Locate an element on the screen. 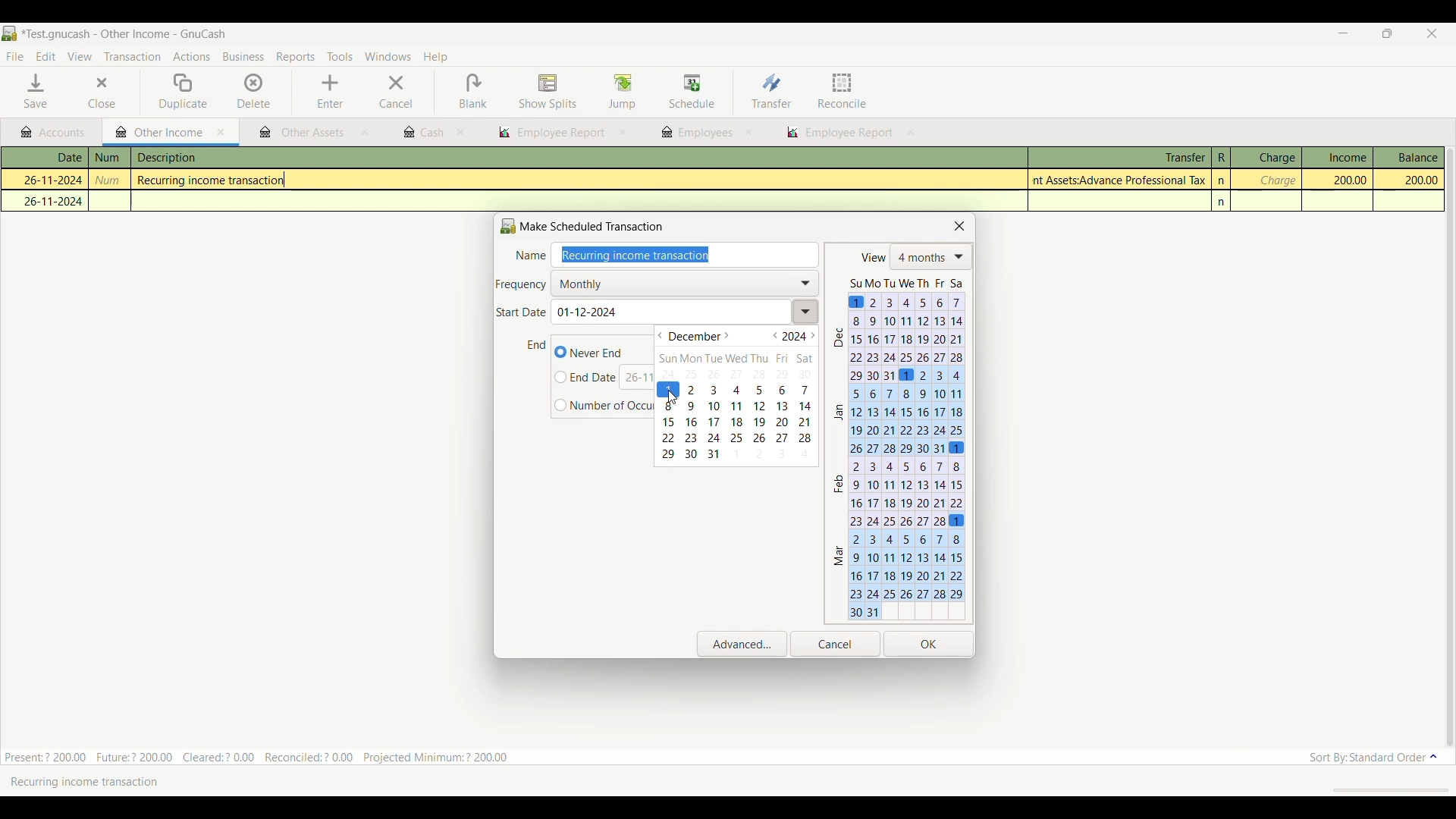 This screenshot has width=1456, height=819. employee report is located at coordinates (848, 134).